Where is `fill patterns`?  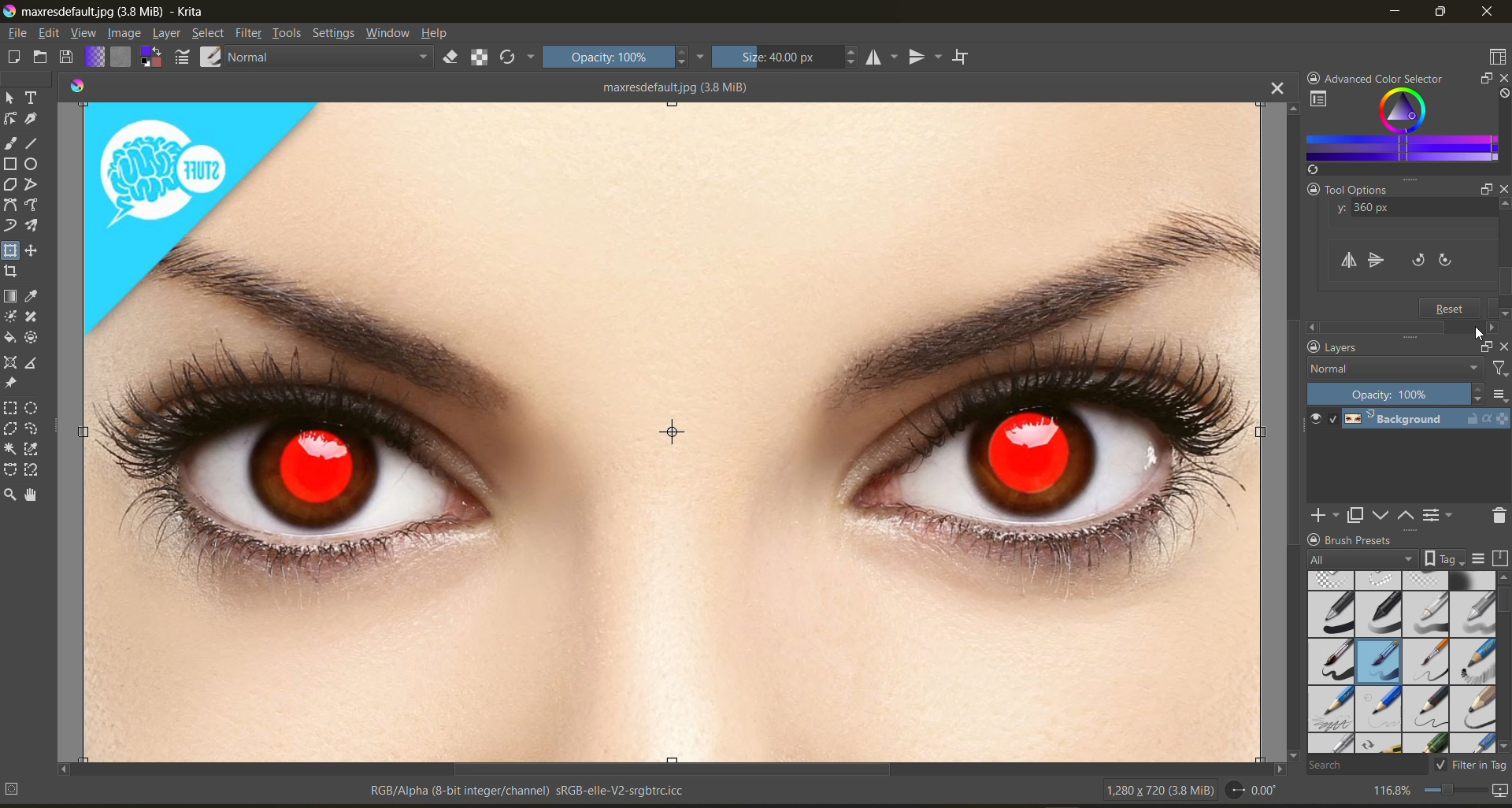
fill patterns is located at coordinates (123, 57).